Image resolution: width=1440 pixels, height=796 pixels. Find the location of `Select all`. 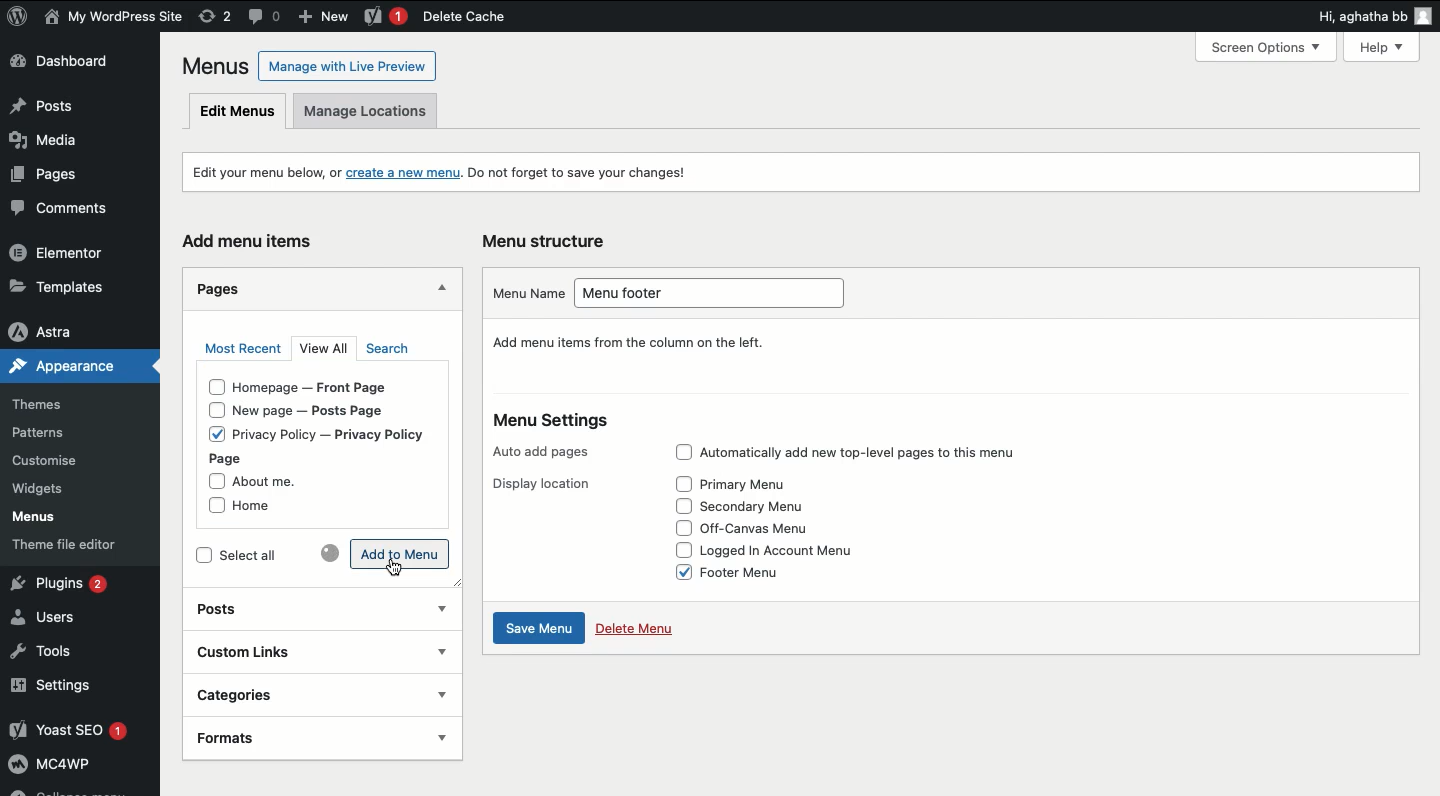

Select all is located at coordinates (268, 558).